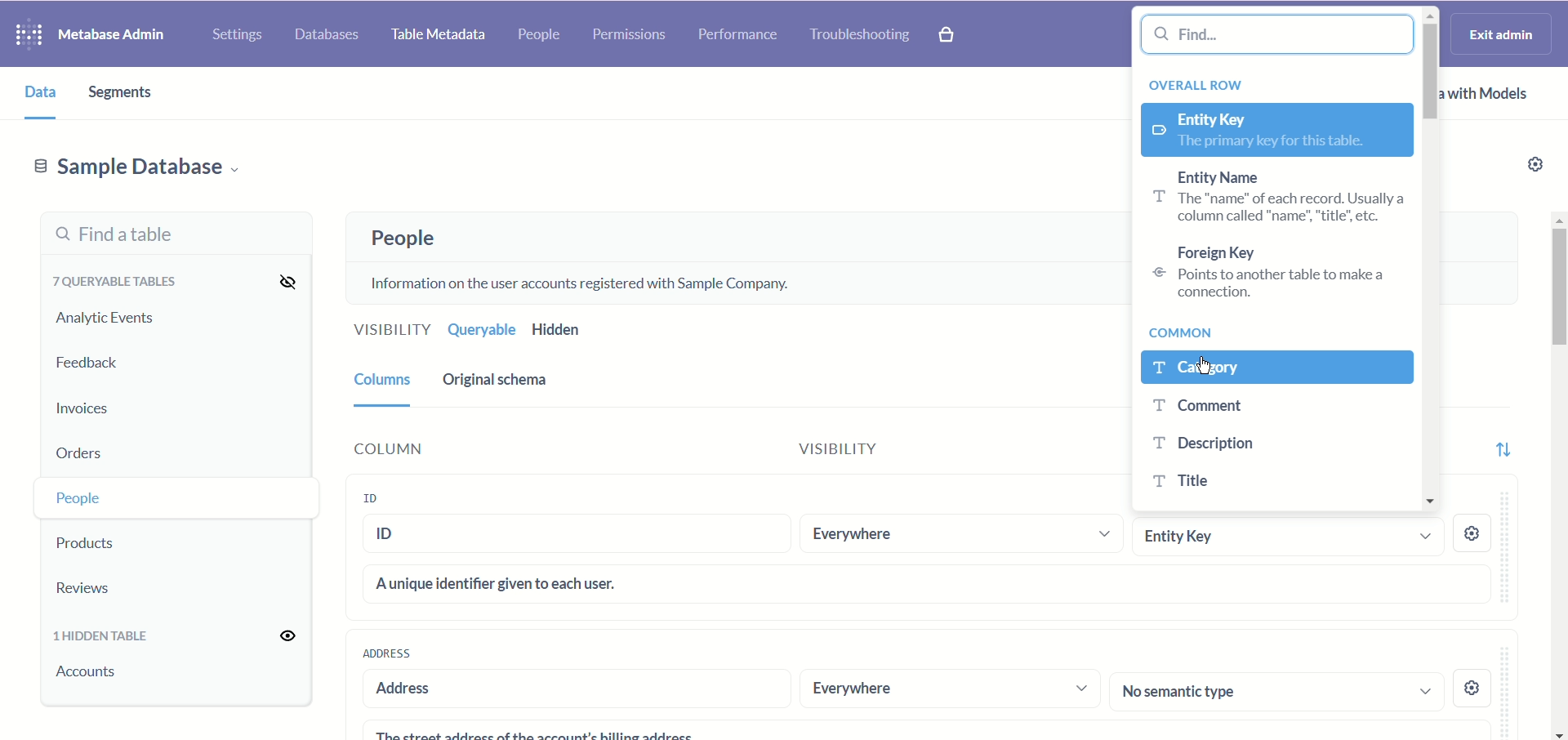  Describe the element at coordinates (579, 537) in the screenshot. I see `id` at that location.